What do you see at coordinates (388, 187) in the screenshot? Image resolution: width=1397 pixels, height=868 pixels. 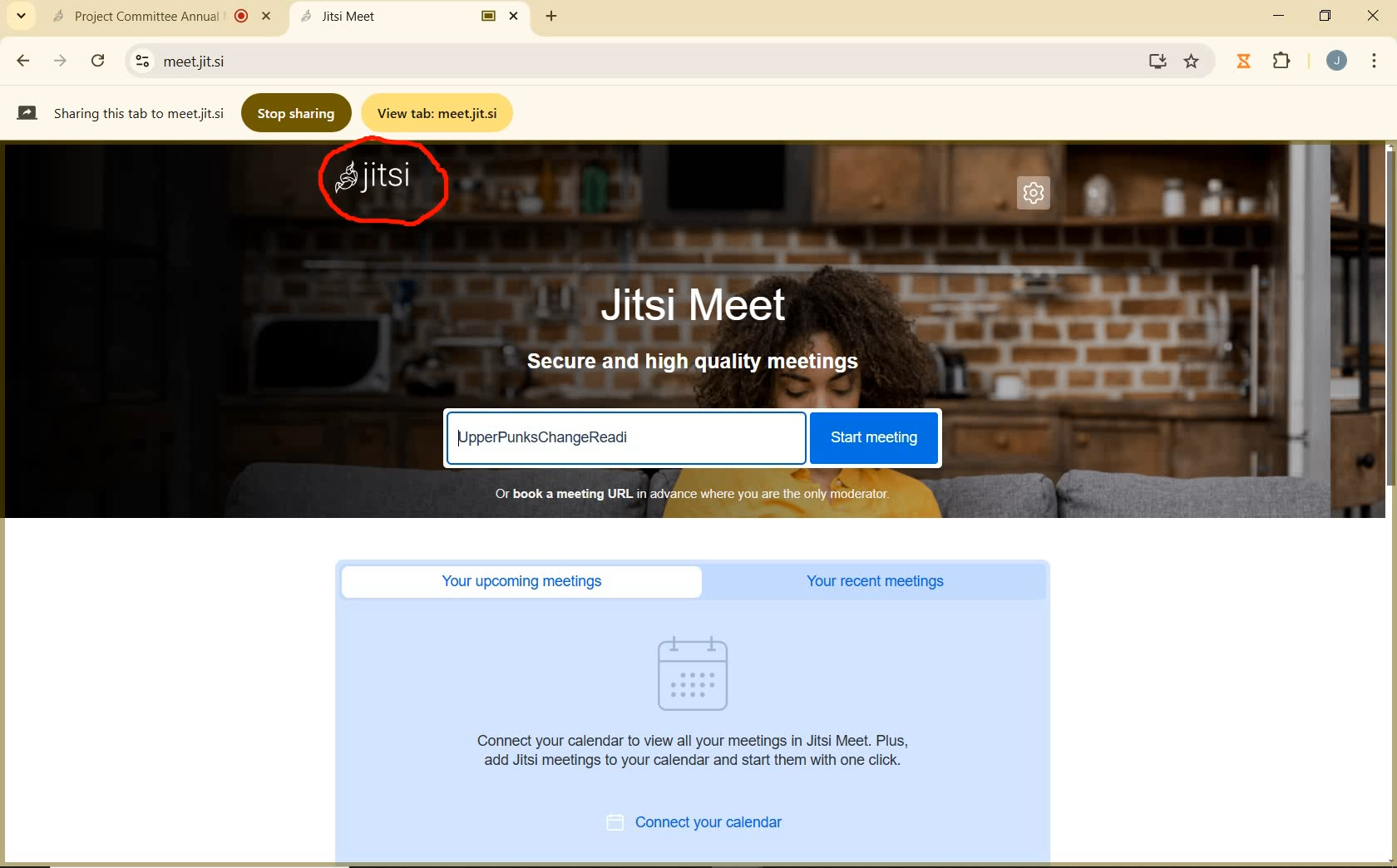 I see `jitsi annotated ` at bounding box center [388, 187].